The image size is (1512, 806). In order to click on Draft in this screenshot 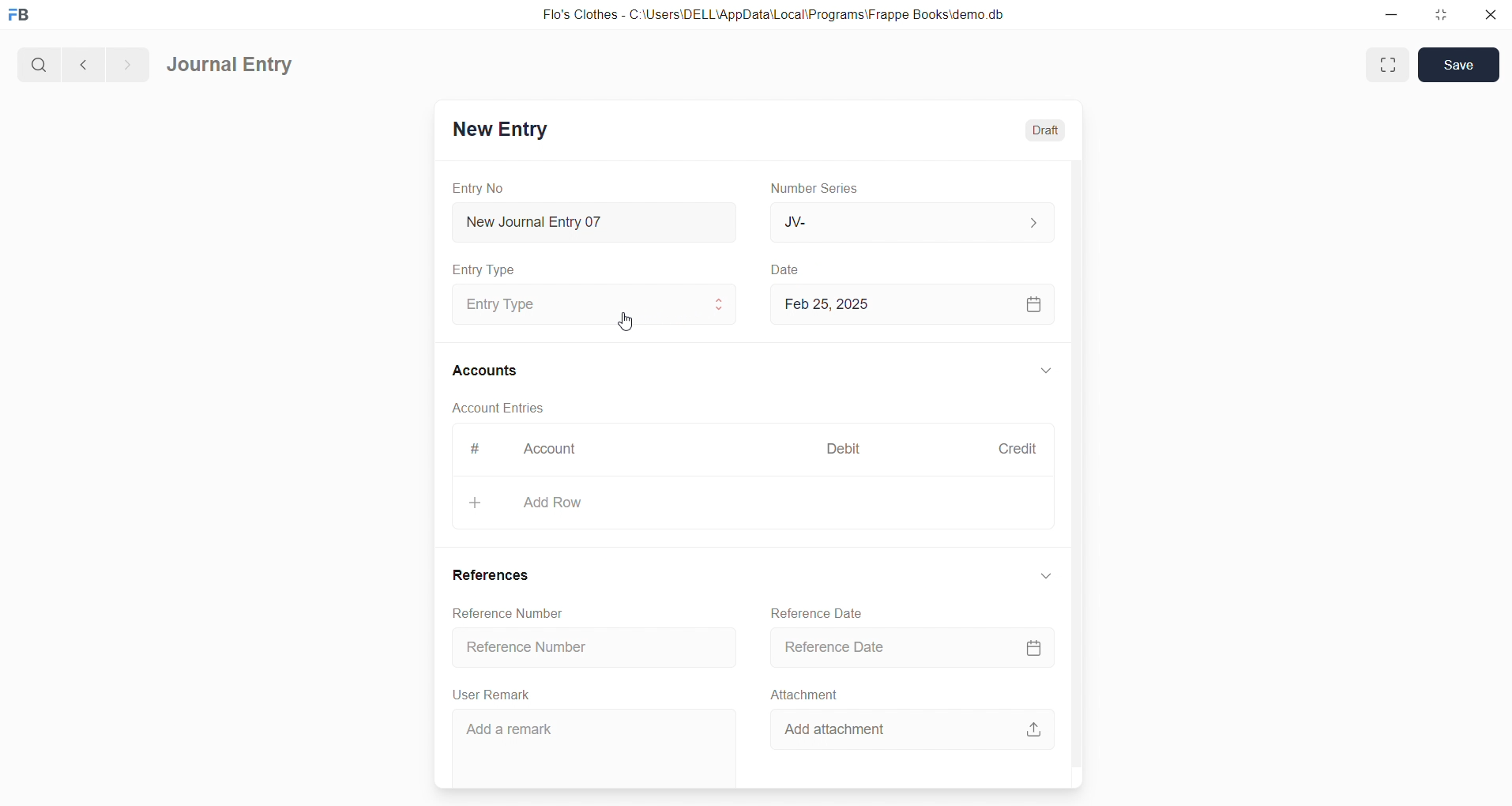, I will do `click(1046, 128)`.